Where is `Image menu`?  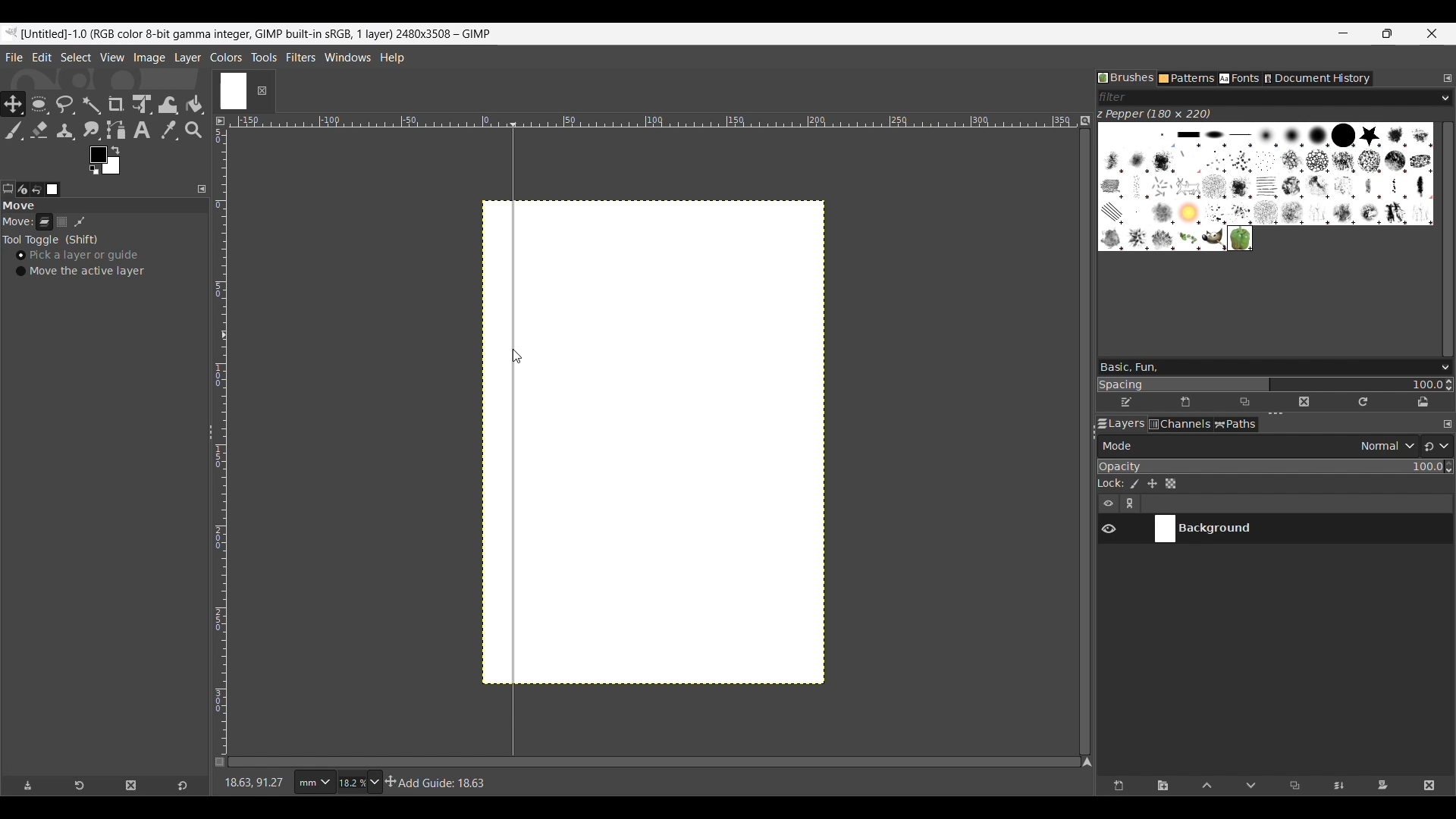
Image menu is located at coordinates (149, 58).